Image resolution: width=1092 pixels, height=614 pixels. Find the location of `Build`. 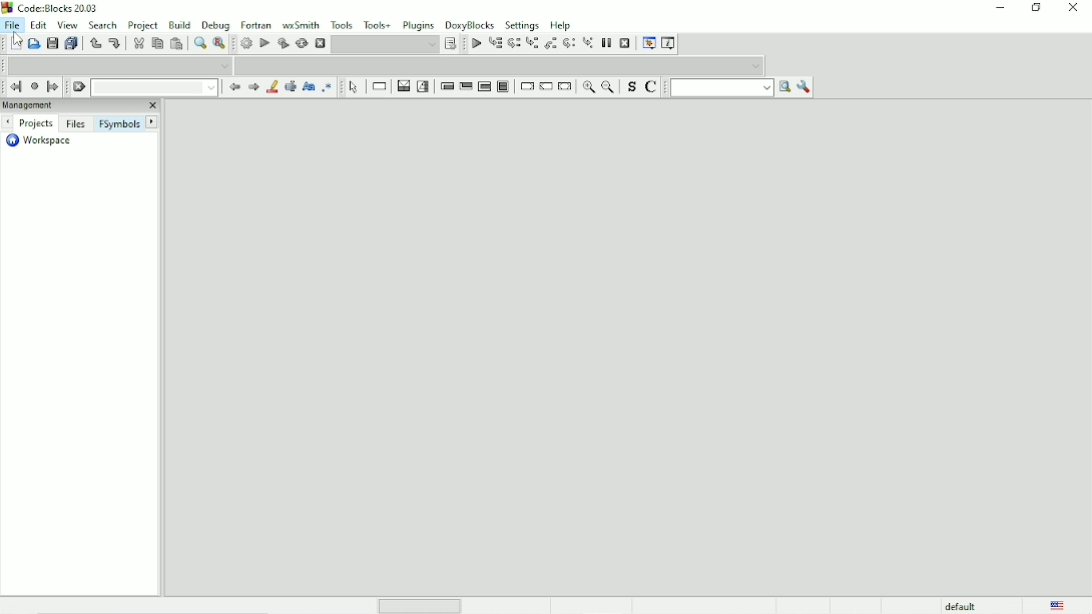

Build is located at coordinates (179, 25).